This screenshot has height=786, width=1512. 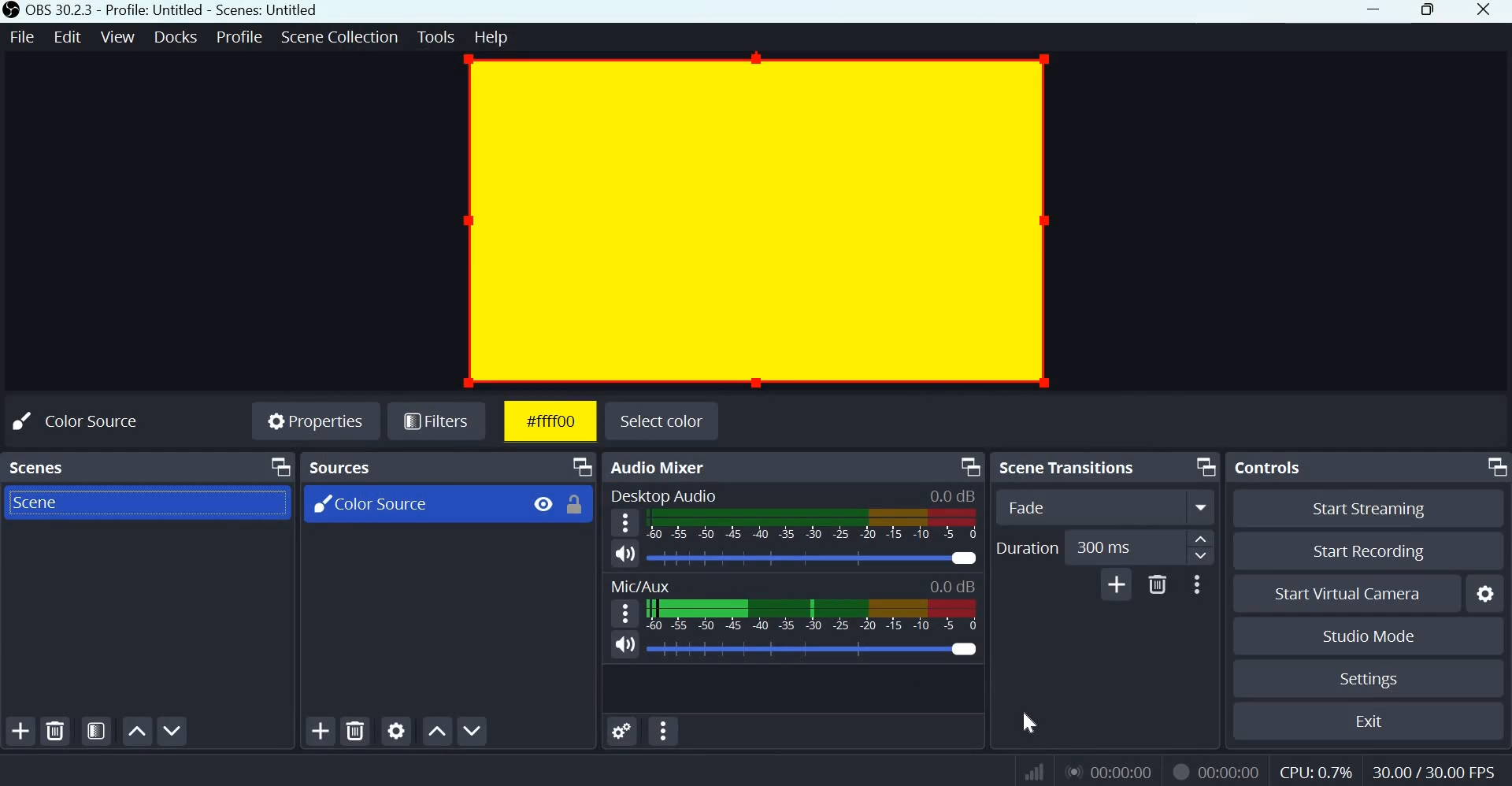 I want to click on Advanced audio properties, so click(x=621, y=730).